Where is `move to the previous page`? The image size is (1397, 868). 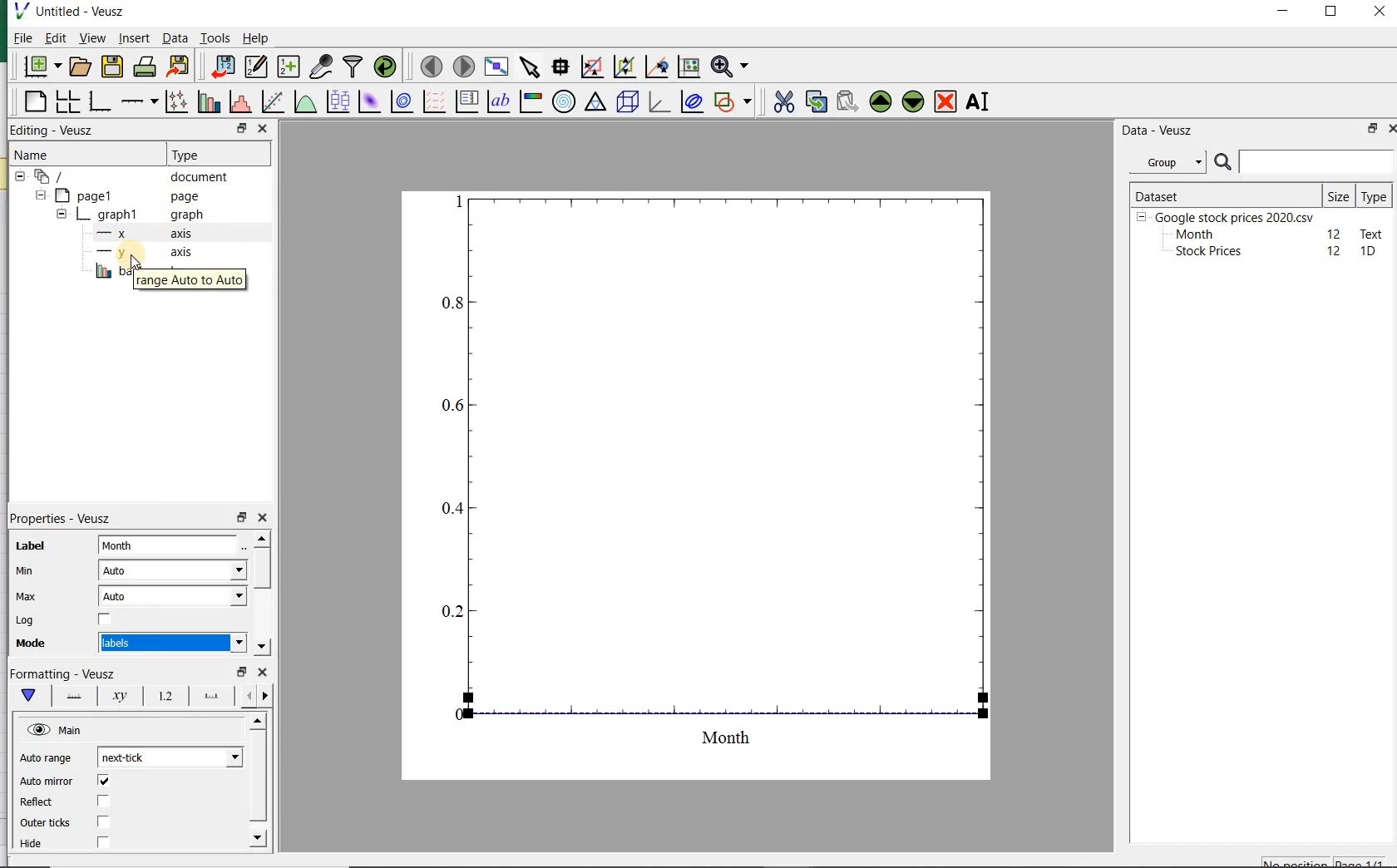 move to the previous page is located at coordinates (429, 65).